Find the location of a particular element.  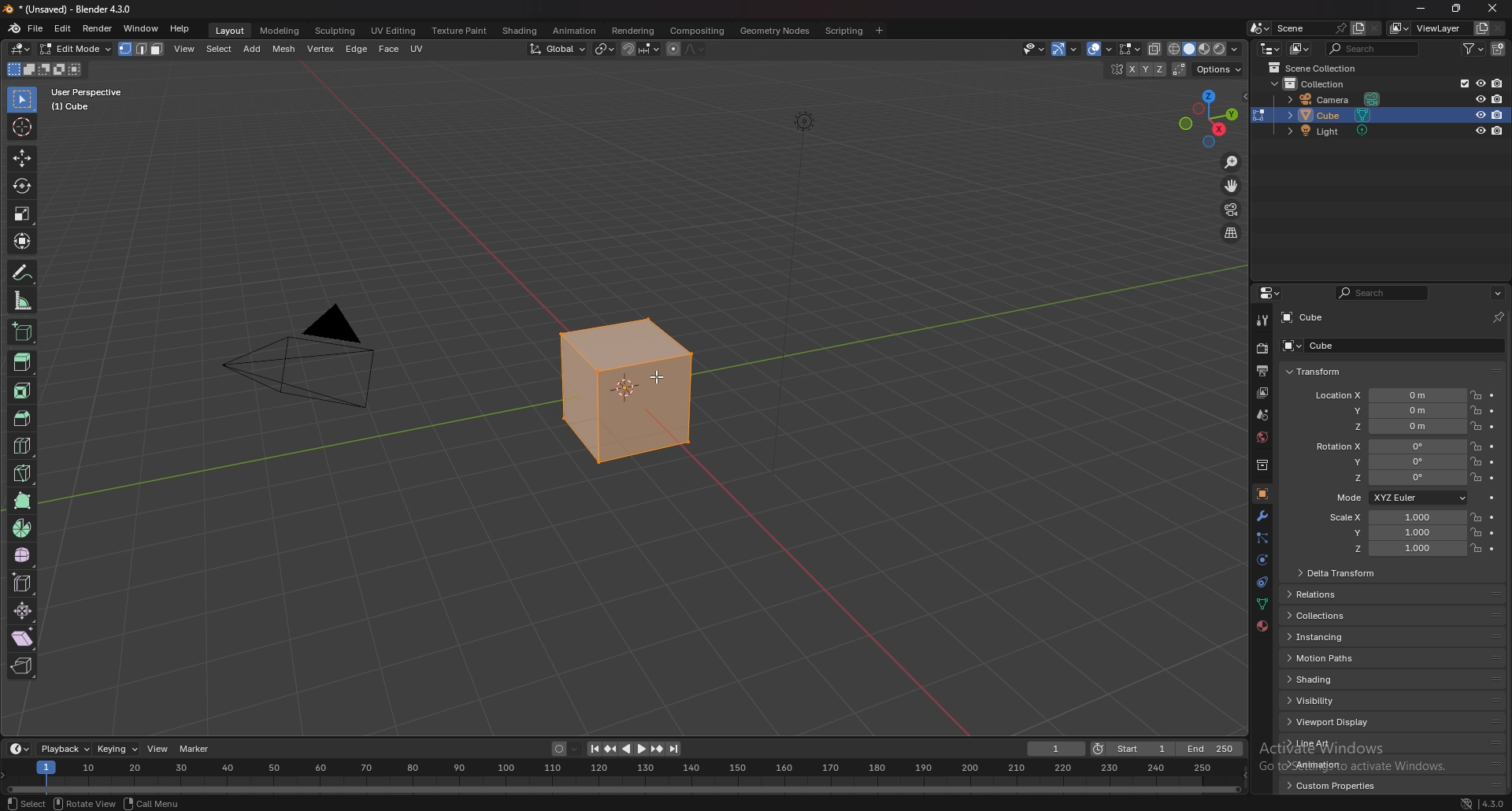

options is located at coordinates (1217, 70).